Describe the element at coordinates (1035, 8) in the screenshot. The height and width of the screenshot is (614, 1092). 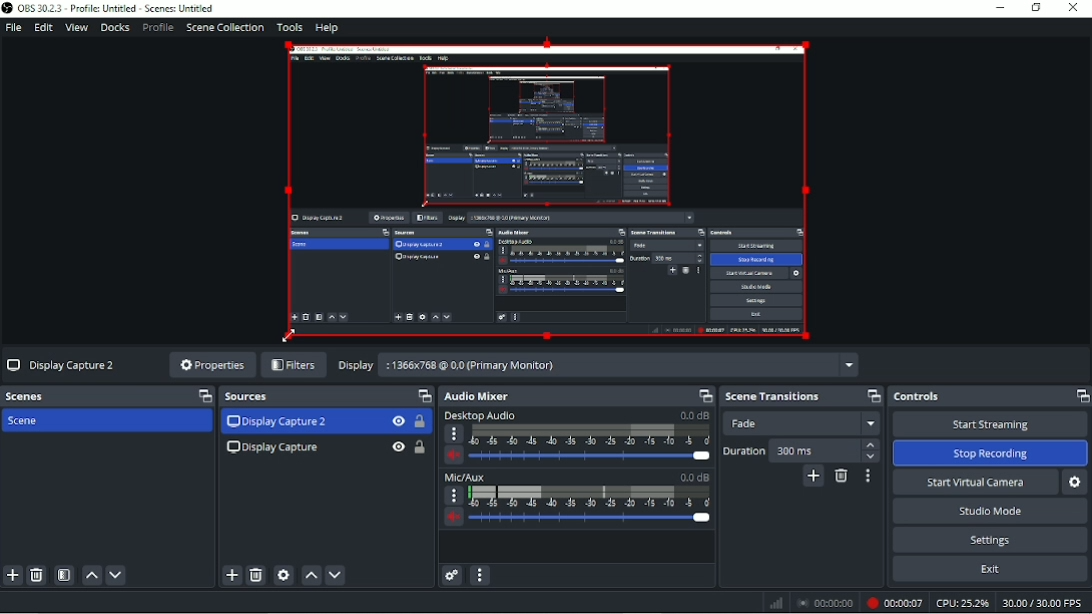
I see `Restore down` at that location.